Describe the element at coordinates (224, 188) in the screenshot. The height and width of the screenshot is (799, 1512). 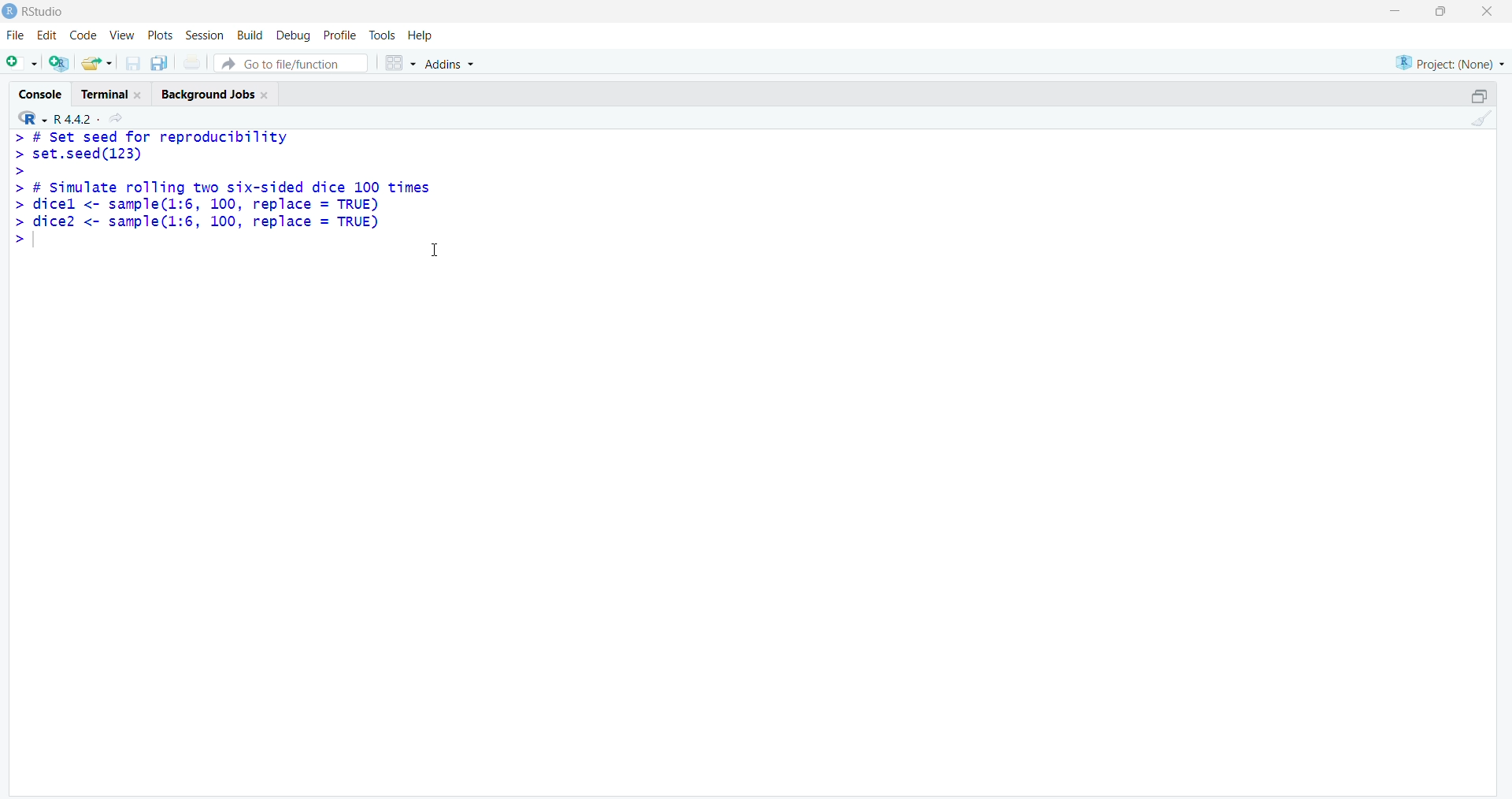
I see `> # Set seed for reproducibility> set.seed(123)>> # Simulate rolling two six-sided dice 100 times> dicel <- sample(l:6, 100, replace = TRUE)> dice2 <- sample(1l:6, 100, replace = TRUE)>` at that location.